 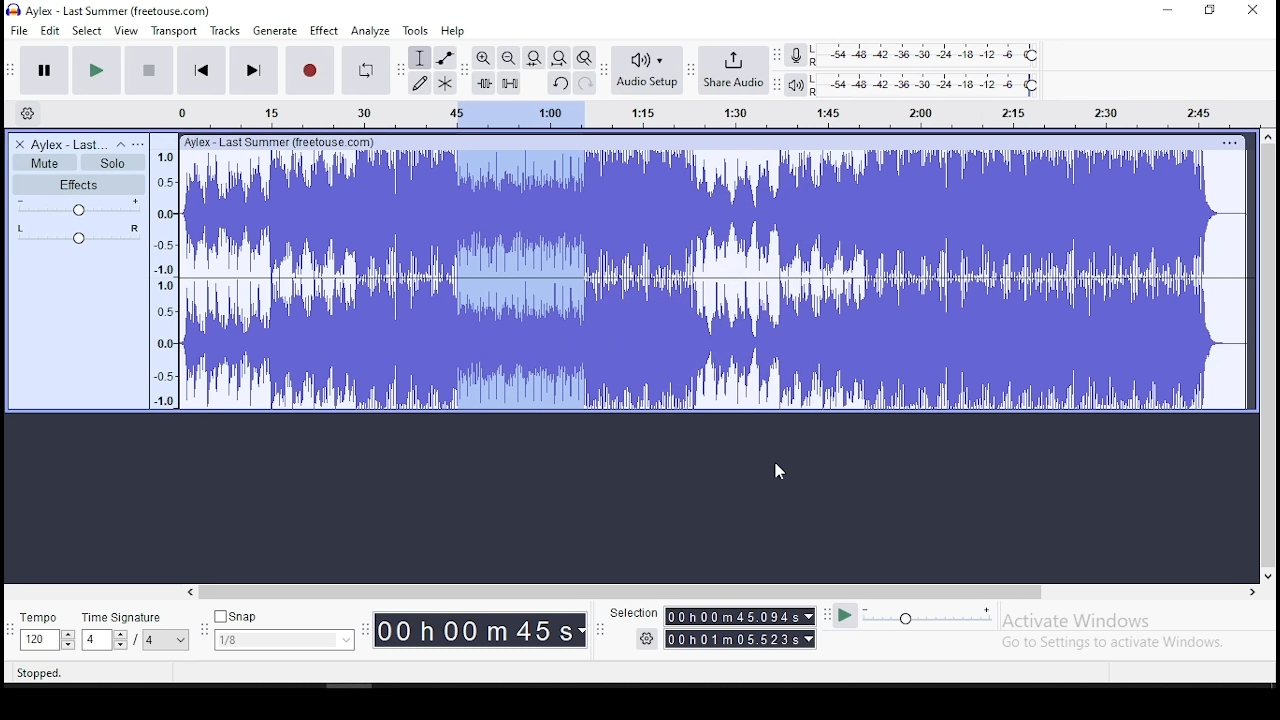 What do you see at coordinates (97, 69) in the screenshot?
I see `play` at bounding box center [97, 69].